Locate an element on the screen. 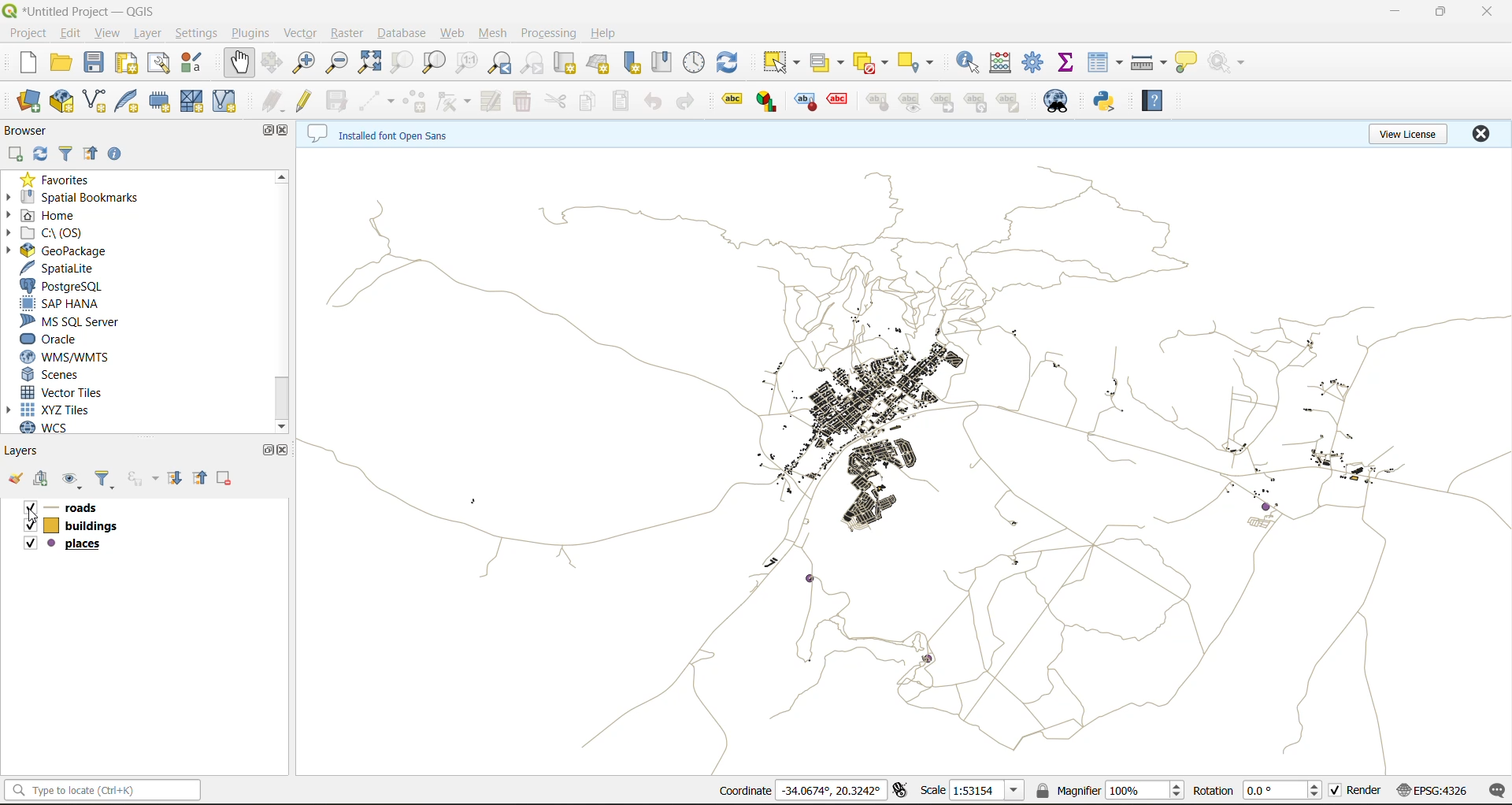 This screenshot has height=805, width=1512. print layout is located at coordinates (128, 66).